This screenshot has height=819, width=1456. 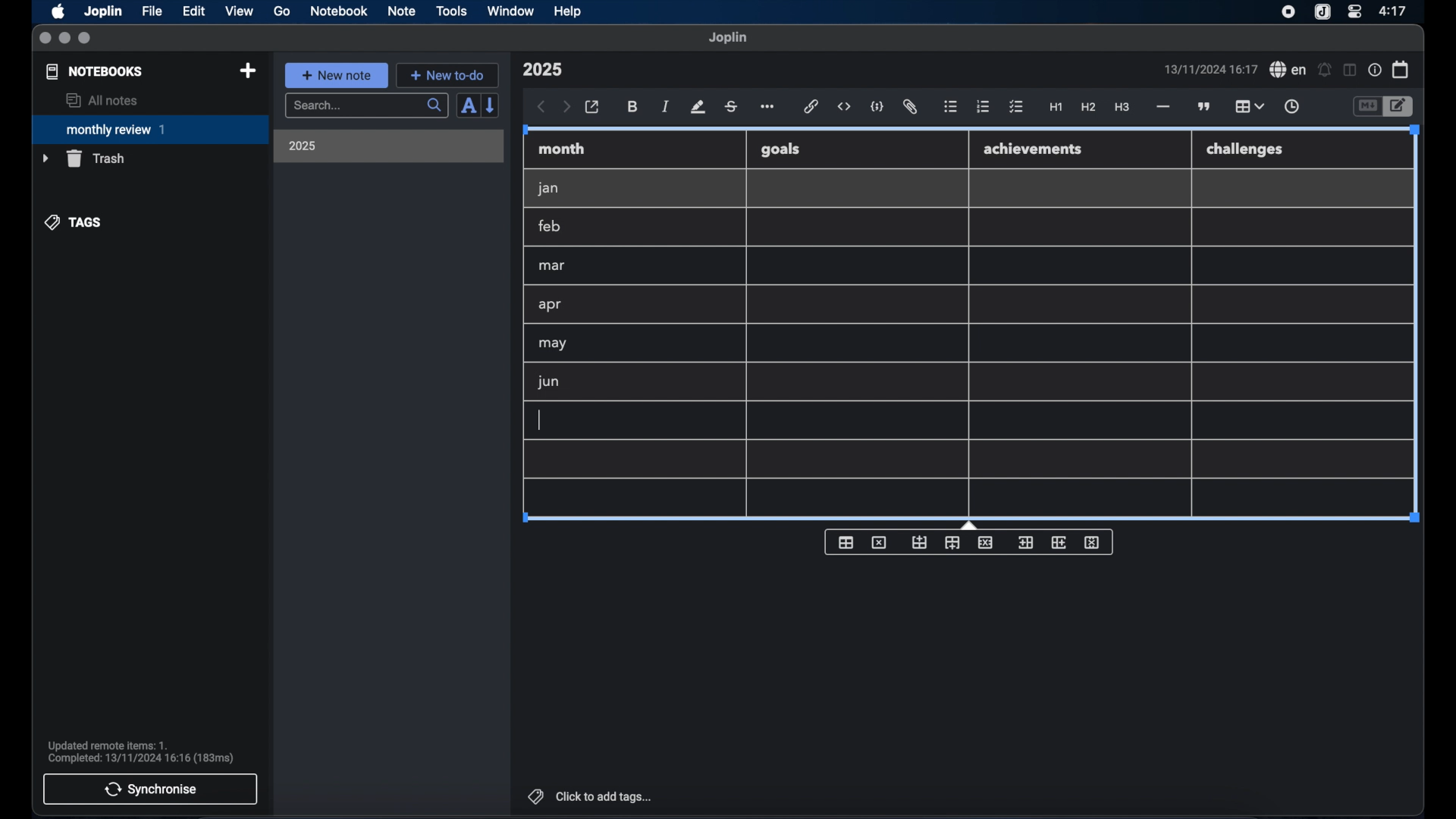 I want to click on Joplin, so click(x=105, y=12).